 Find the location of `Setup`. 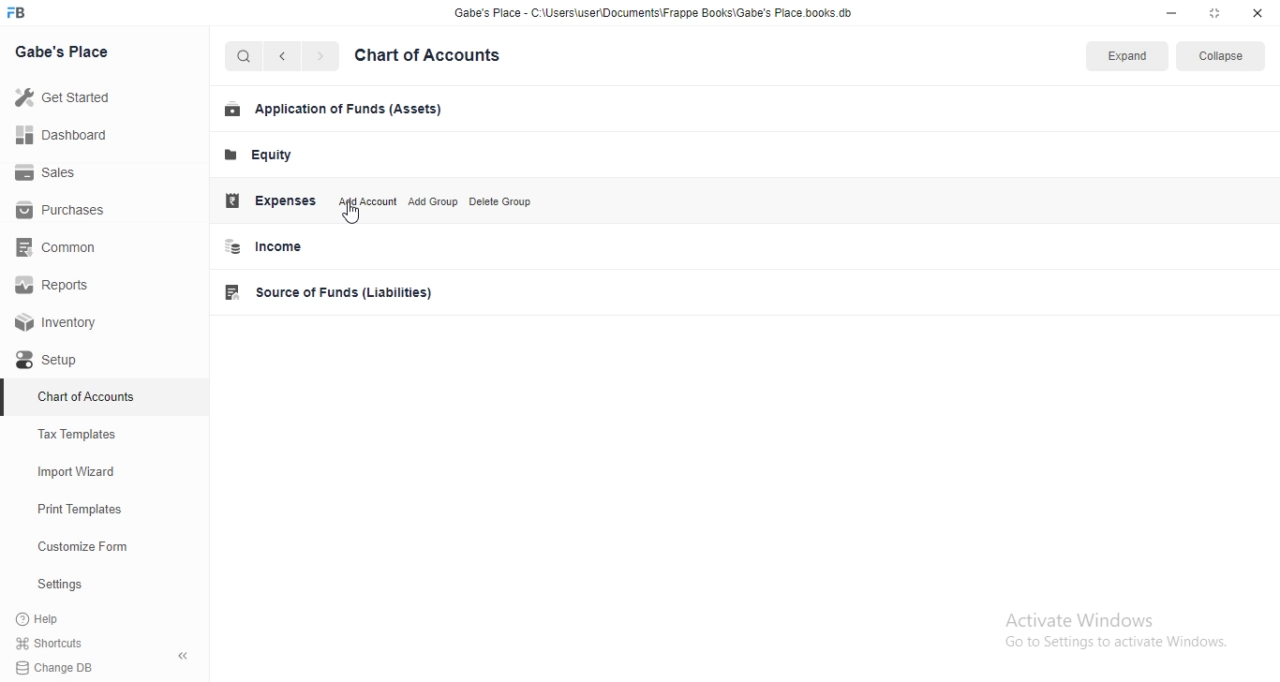

Setup is located at coordinates (68, 360).